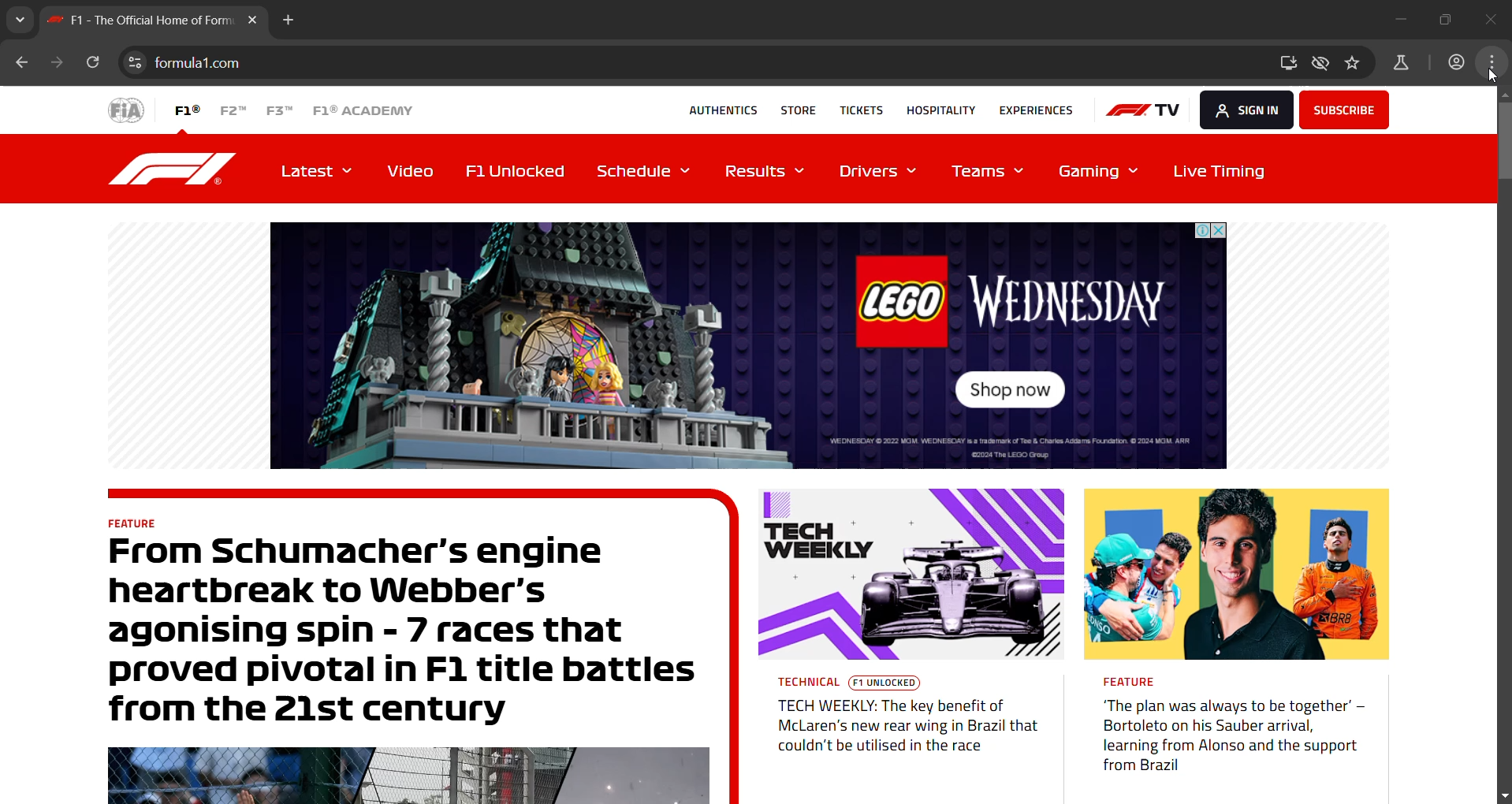 The height and width of the screenshot is (804, 1512). What do you see at coordinates (747, 347) in the screenshot?
I see `advertisement of Lego Wednesday` at bounding box center [747, 347].